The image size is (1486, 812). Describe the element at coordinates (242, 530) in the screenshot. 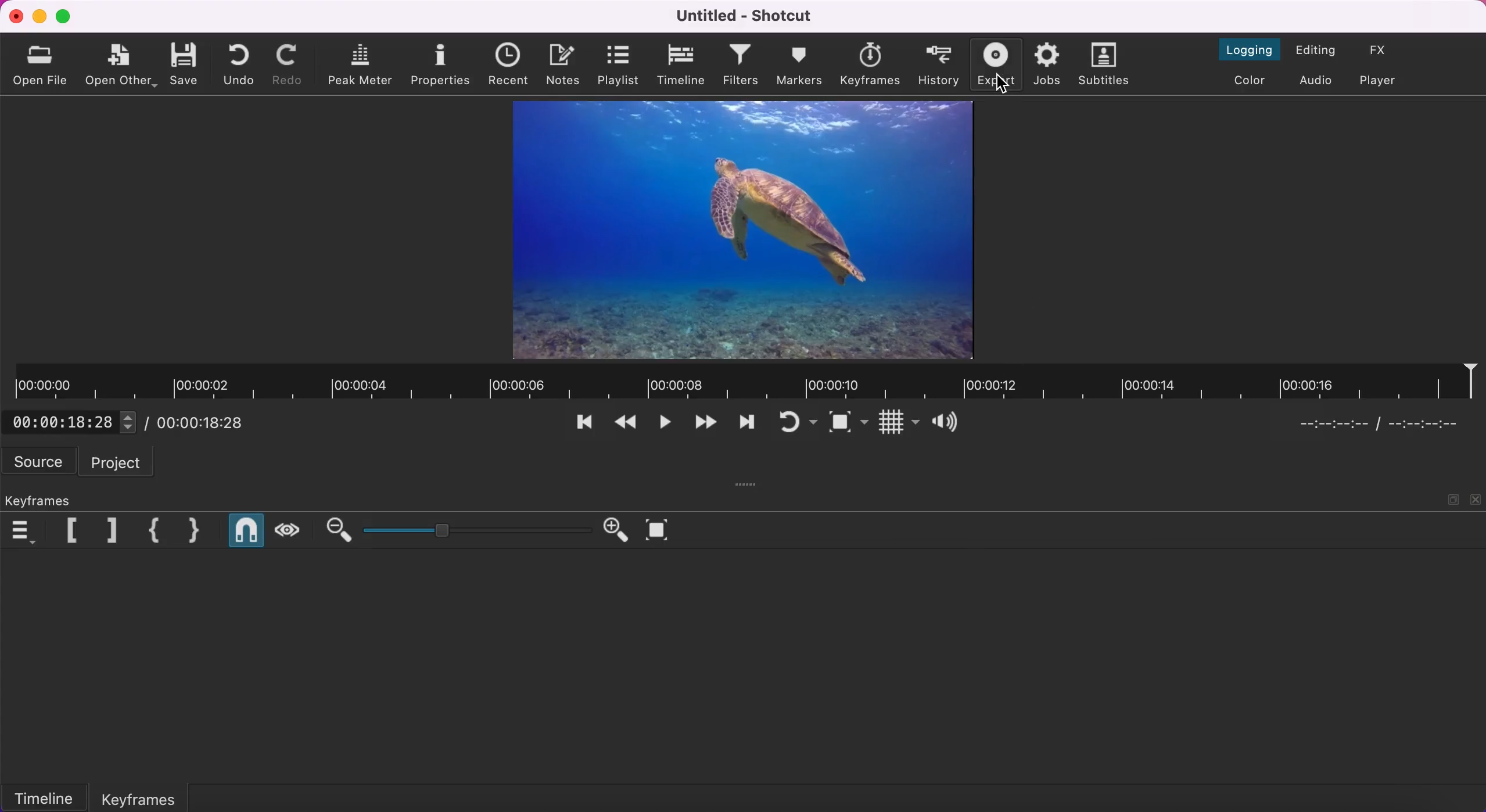

I see `snap` at that location.